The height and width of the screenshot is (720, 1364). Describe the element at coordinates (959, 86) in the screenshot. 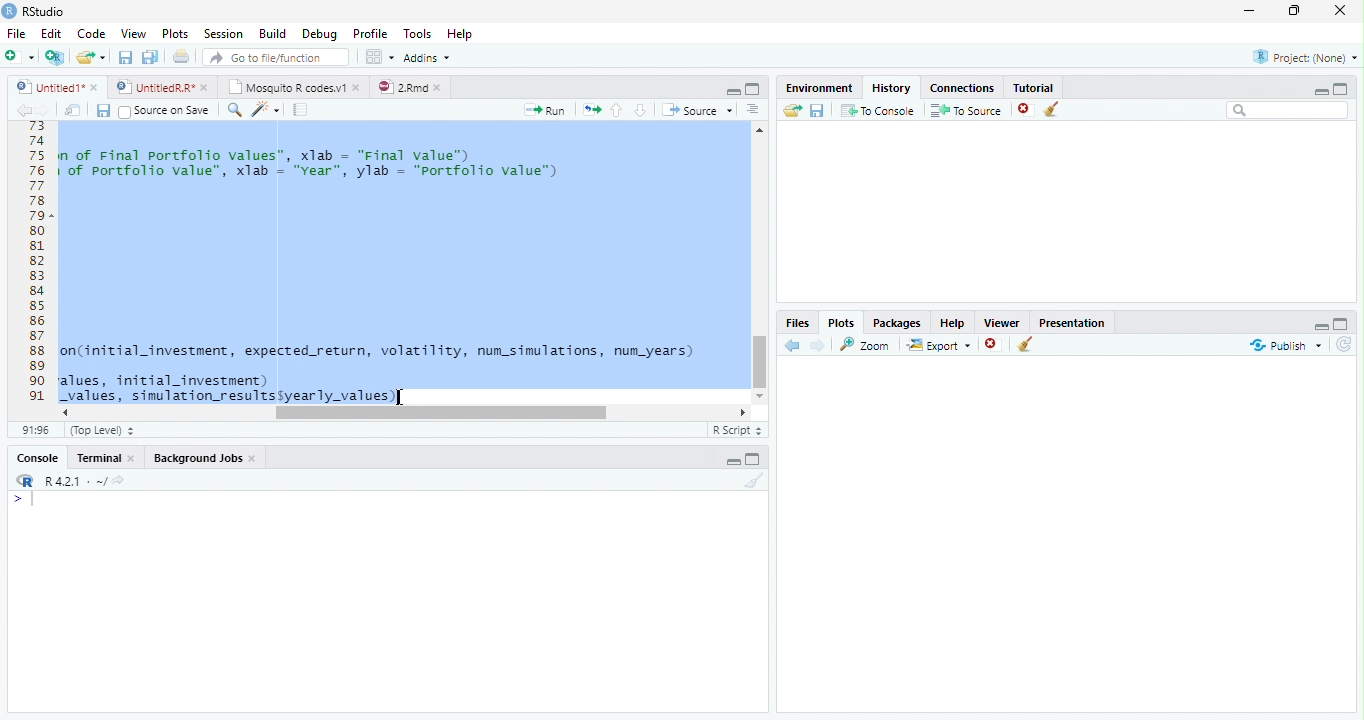

I see `‘Connections` at that location.